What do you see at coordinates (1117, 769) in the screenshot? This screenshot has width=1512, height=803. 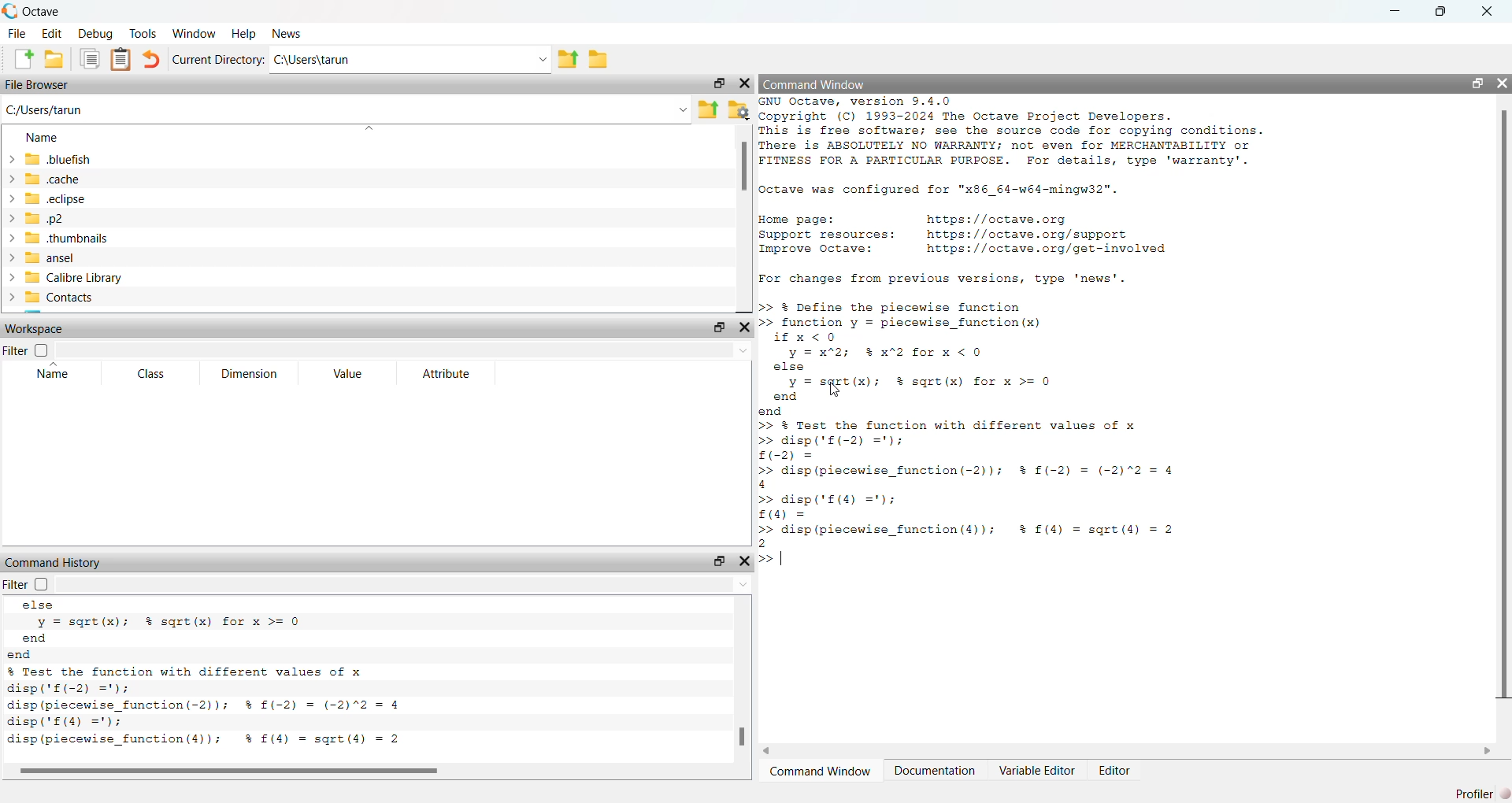 I see `Editor` at bounding box center [1117, 769].